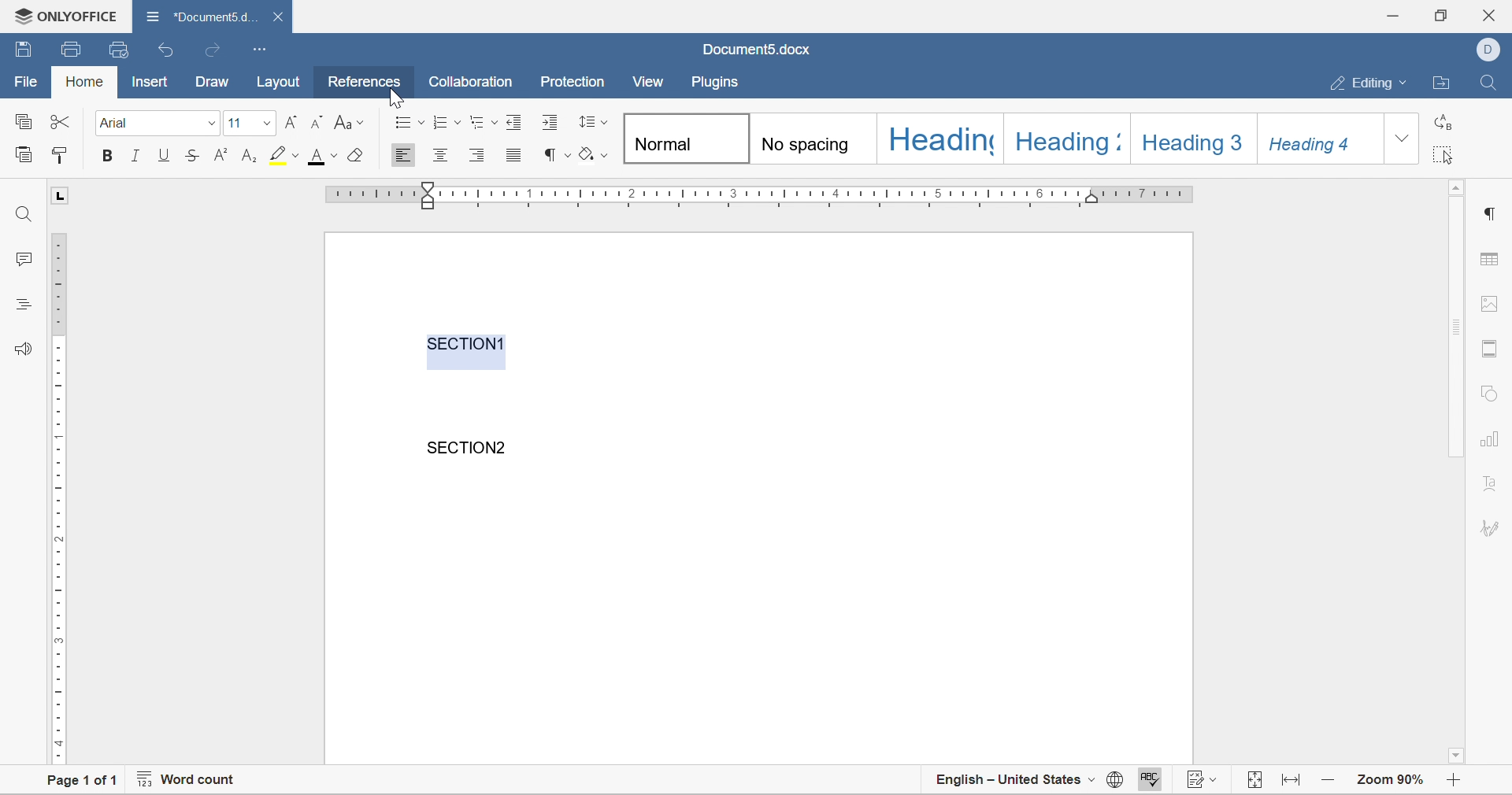 The width and height of the screenshot is (1512, 795). What do you see at coordinates (359, 154) in the screenshot?
I see `clear style` at bounding box center [359, 154].